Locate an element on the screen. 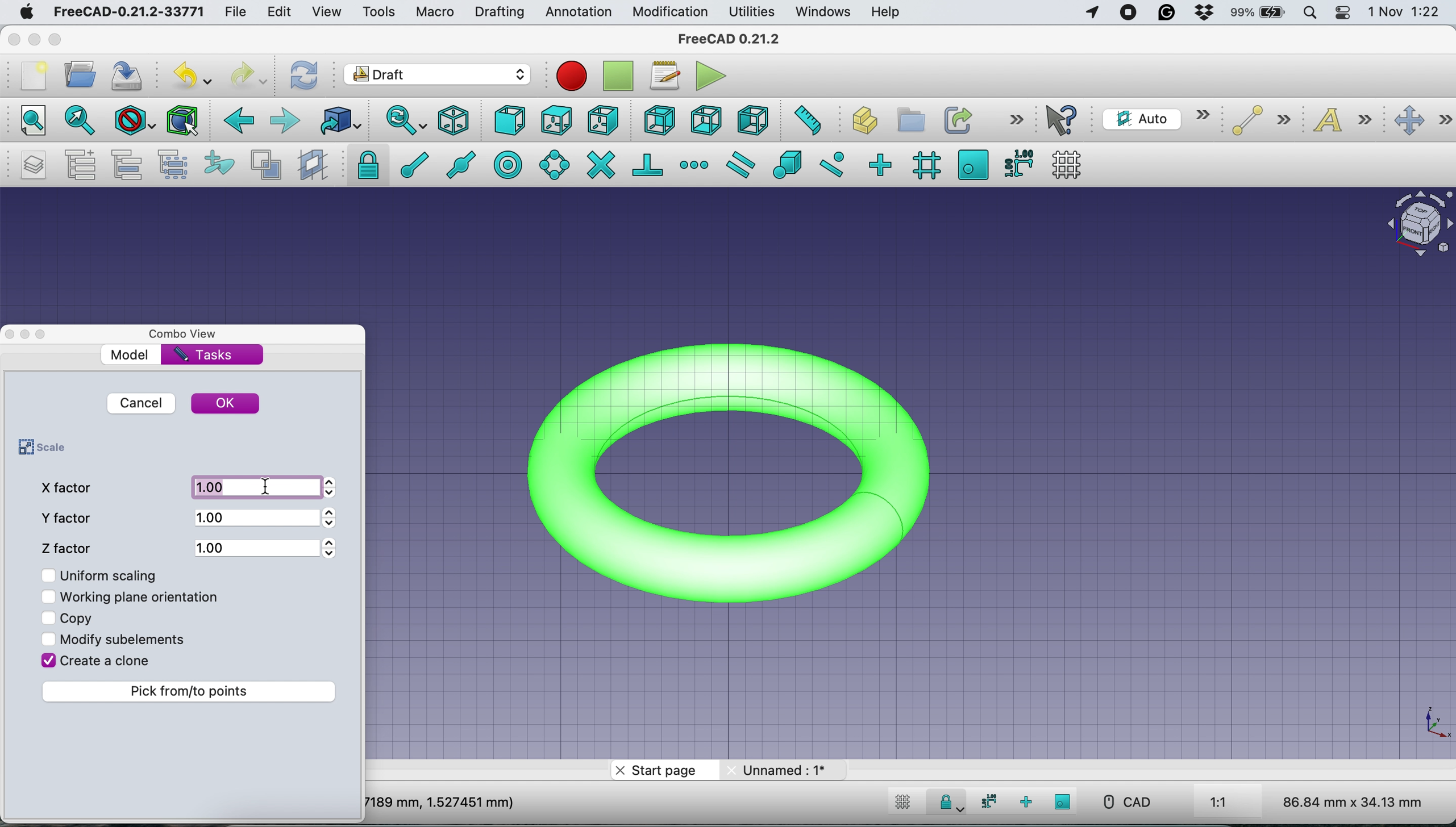  move to group is located at coordinates (131, 165).